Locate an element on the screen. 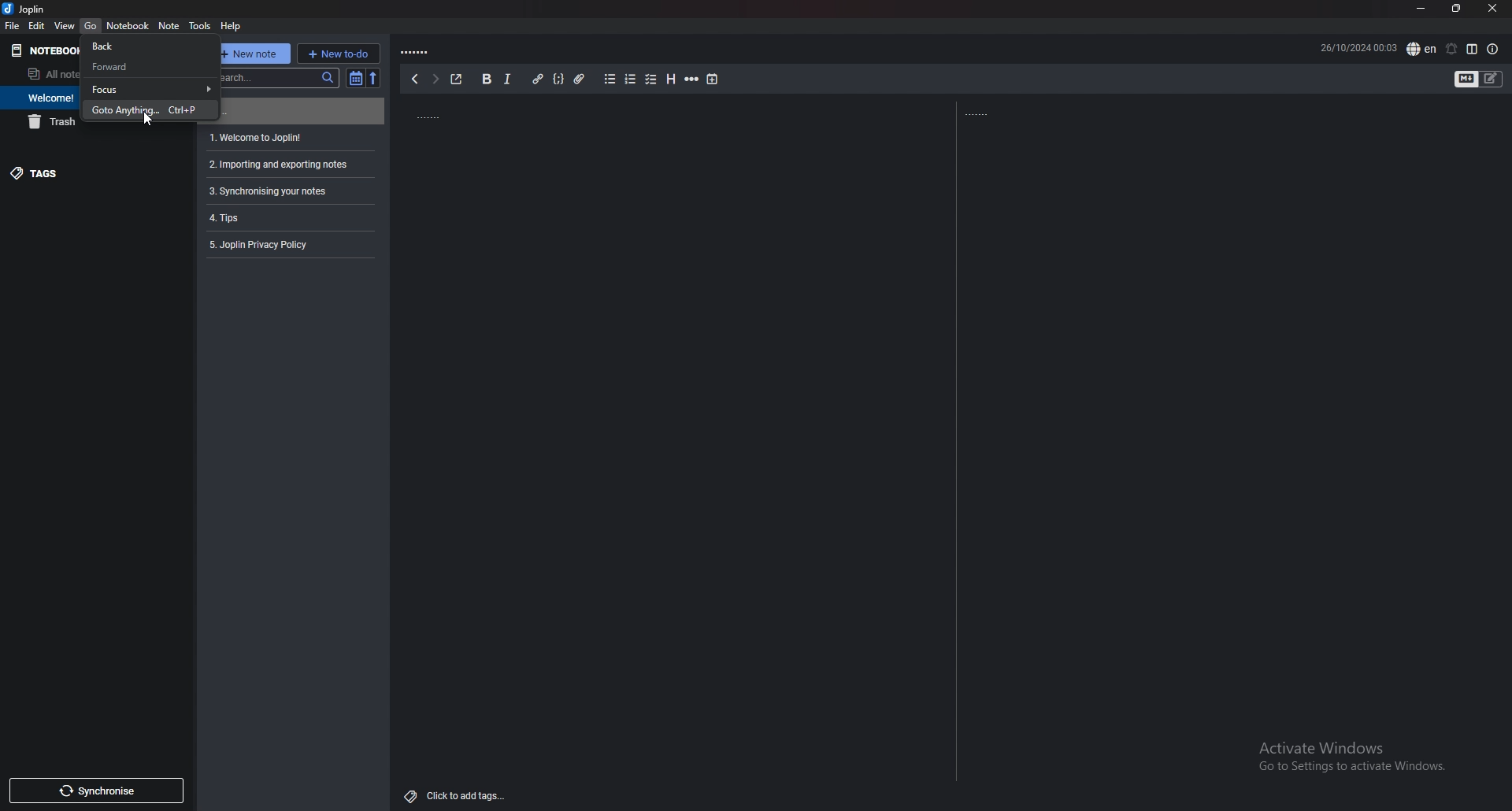 This screenshot has width=1512, height=811. forward is located at coordinates (434, 79).